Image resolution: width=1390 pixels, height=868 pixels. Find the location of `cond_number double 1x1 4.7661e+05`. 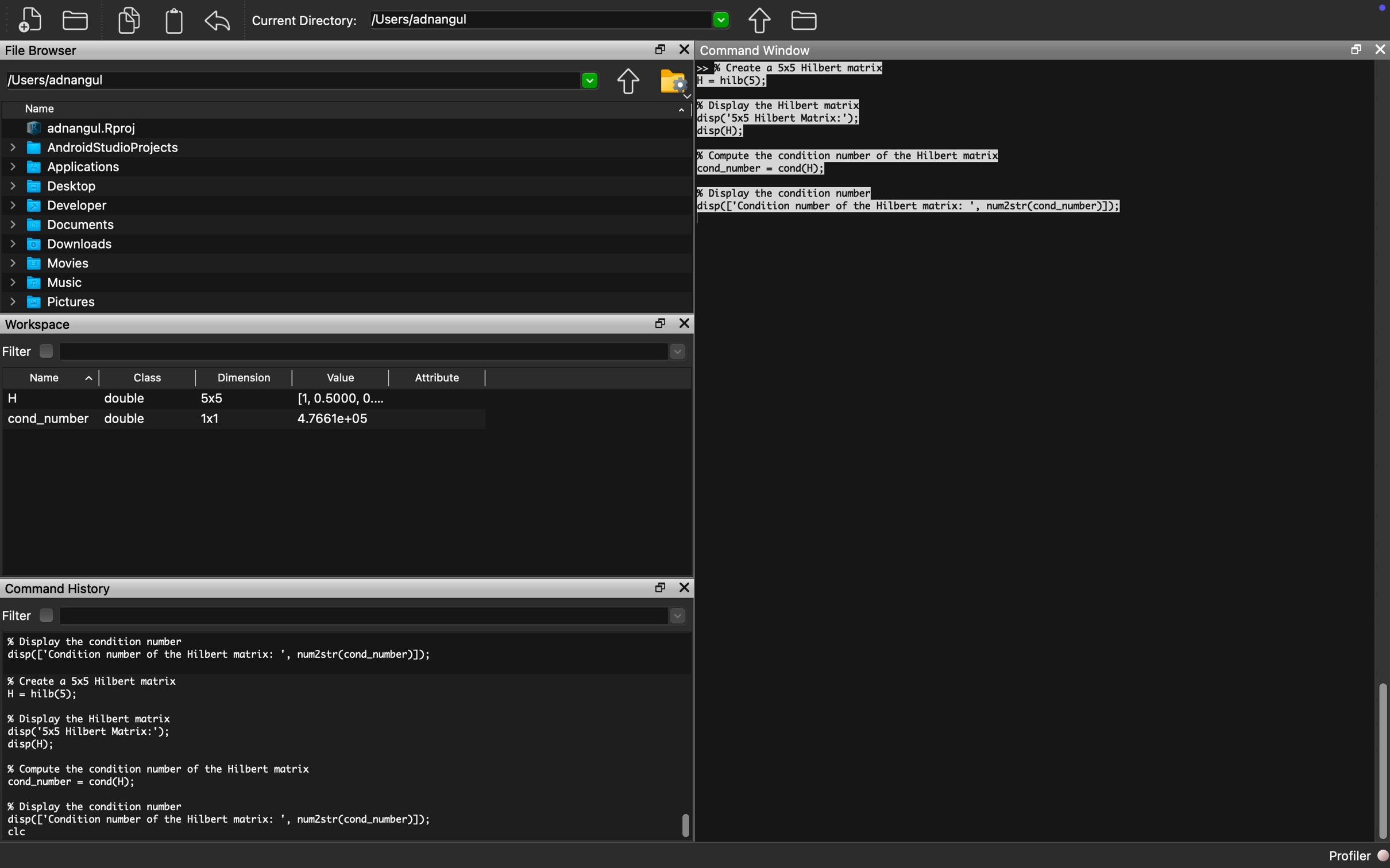

cond_number double 1x1 4.7661e+05 is located at coordinates (192, 419).